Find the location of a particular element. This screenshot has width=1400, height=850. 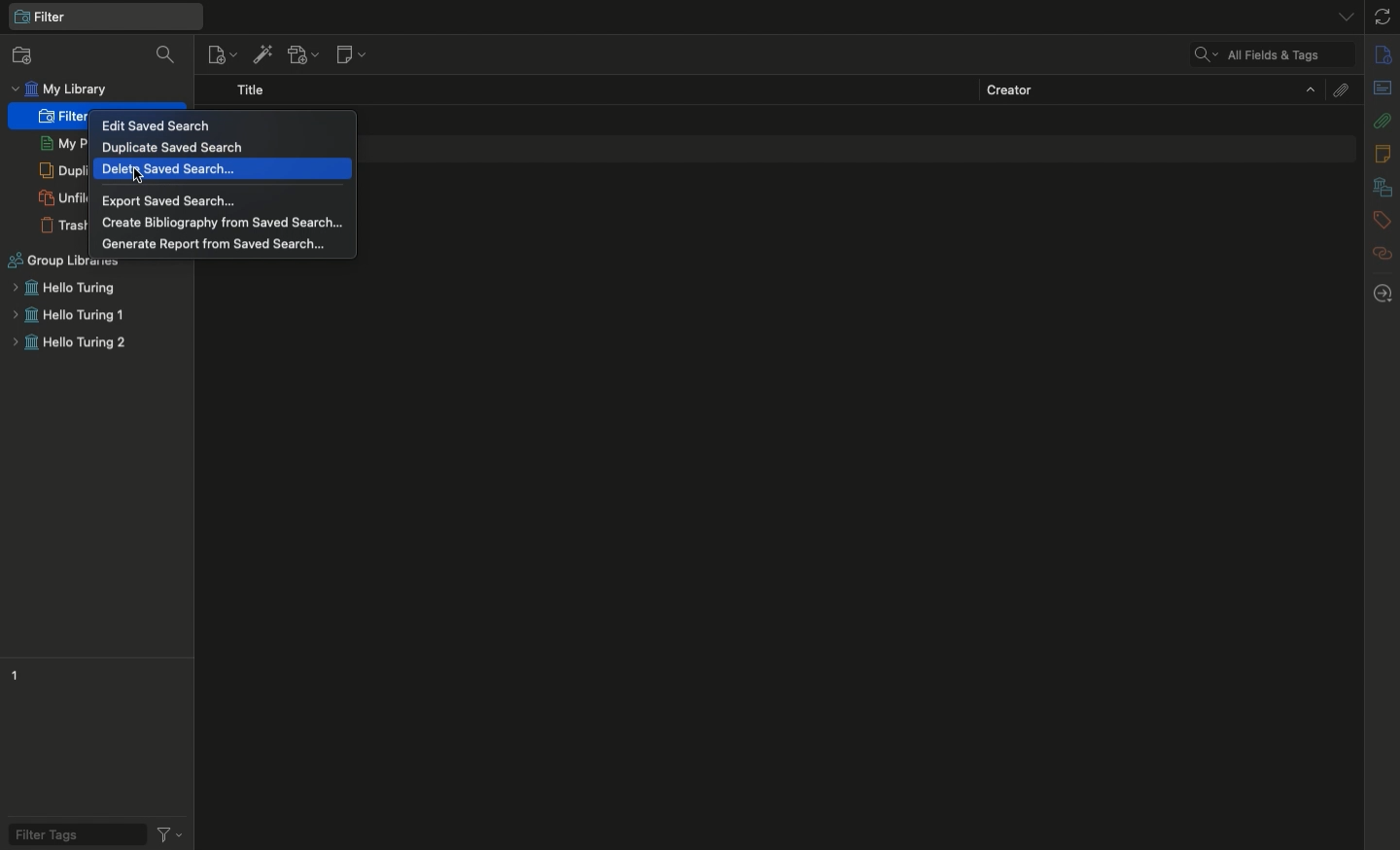

Filter tags is located at coordinates (70, 832).